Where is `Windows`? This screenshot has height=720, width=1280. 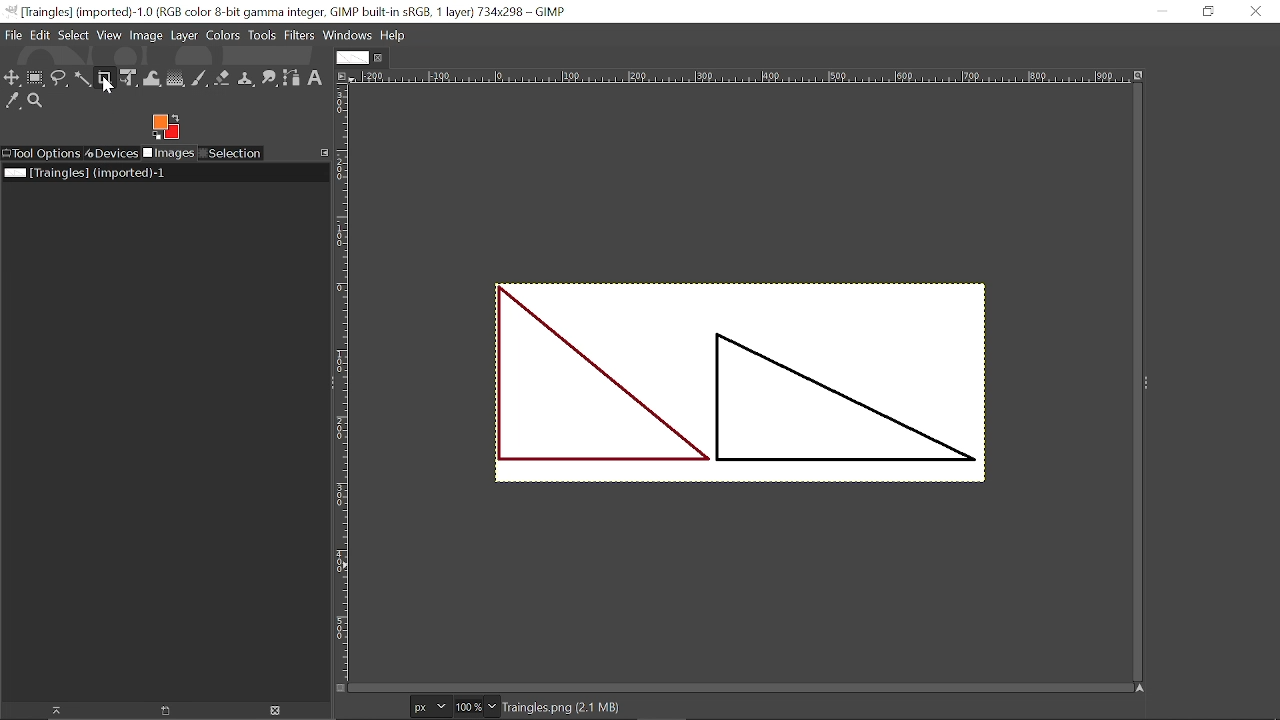
Windows is located at coordinates (347, 36).